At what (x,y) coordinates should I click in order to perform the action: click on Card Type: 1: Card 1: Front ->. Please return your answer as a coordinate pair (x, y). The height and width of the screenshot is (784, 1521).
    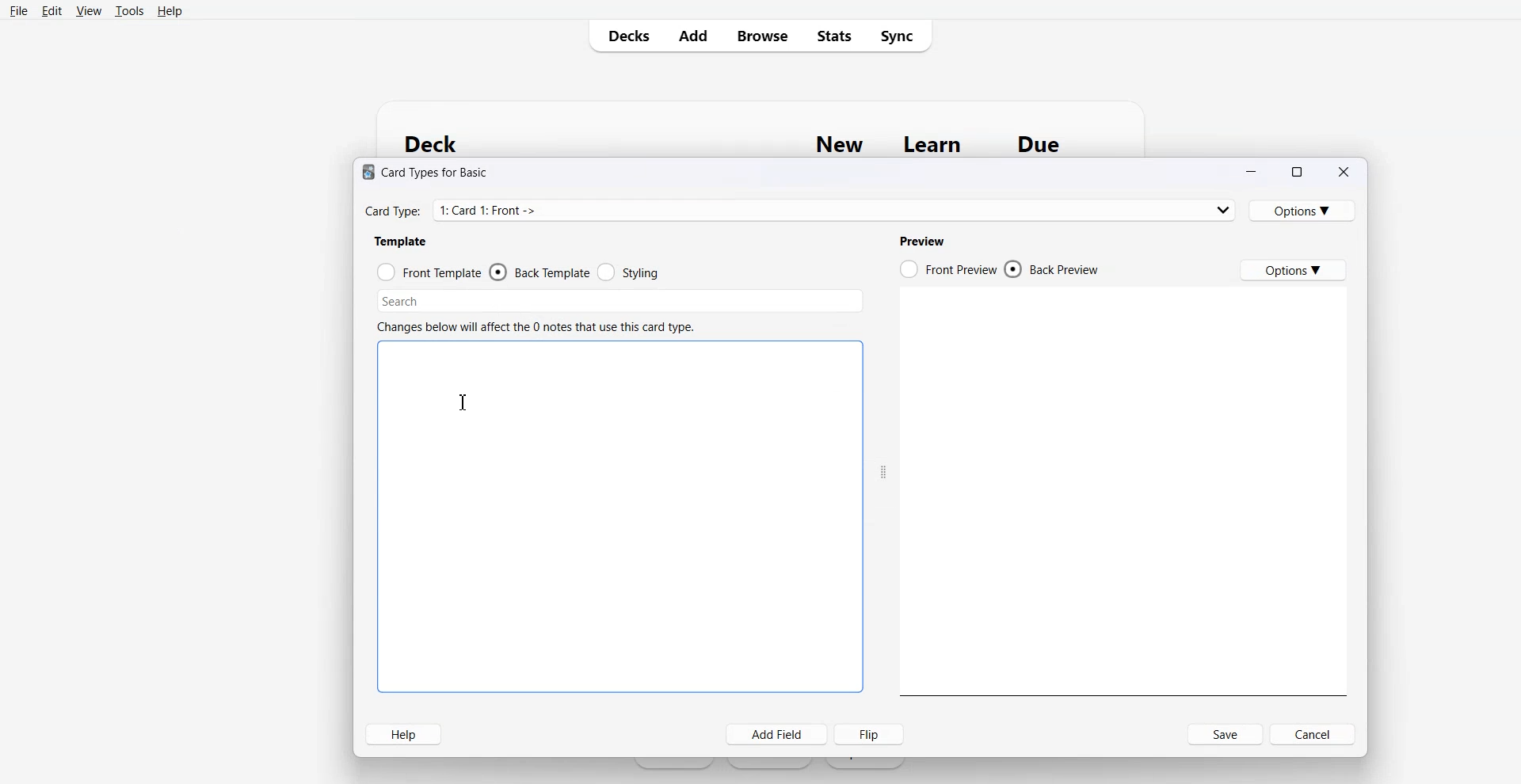
    Looking at the image, I should click on (799, 207).